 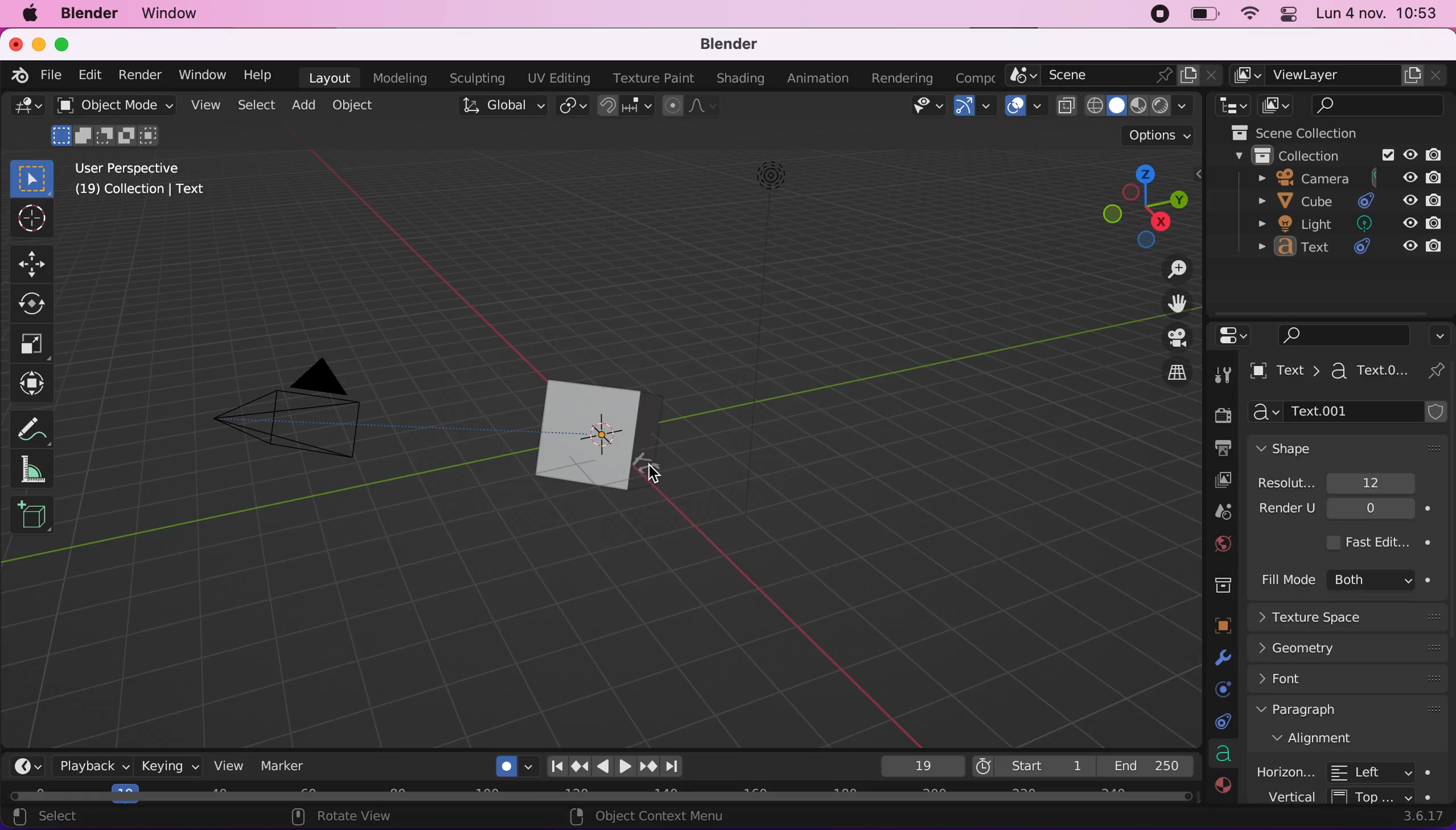 I want to click on view object types, so click(x=922, y=107).